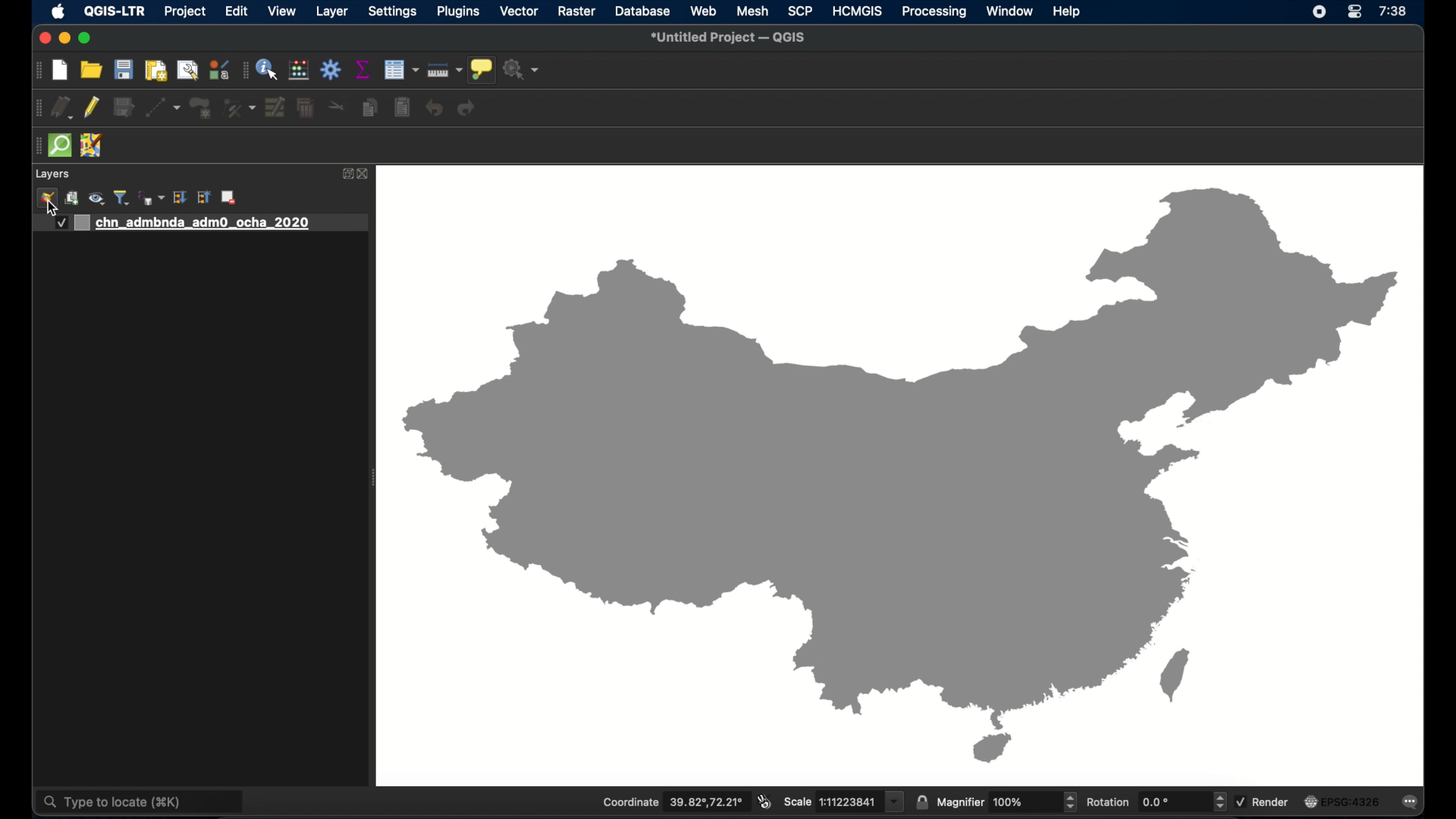 The height and width of the screenshot is (819, 1456). I want to click on project, so click(184, 11).